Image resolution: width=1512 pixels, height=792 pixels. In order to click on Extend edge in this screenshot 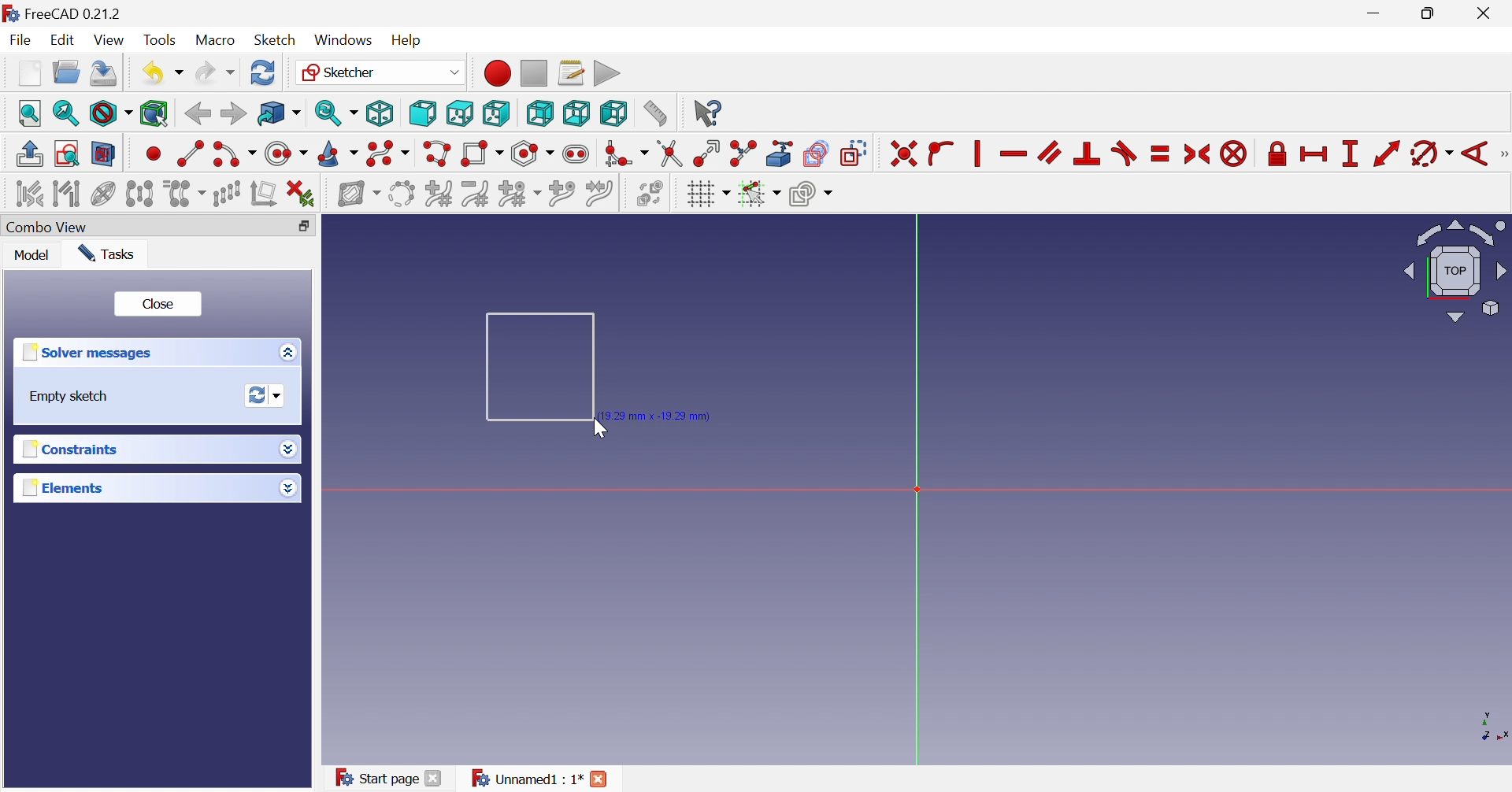, I will do `click(706, 154)`.